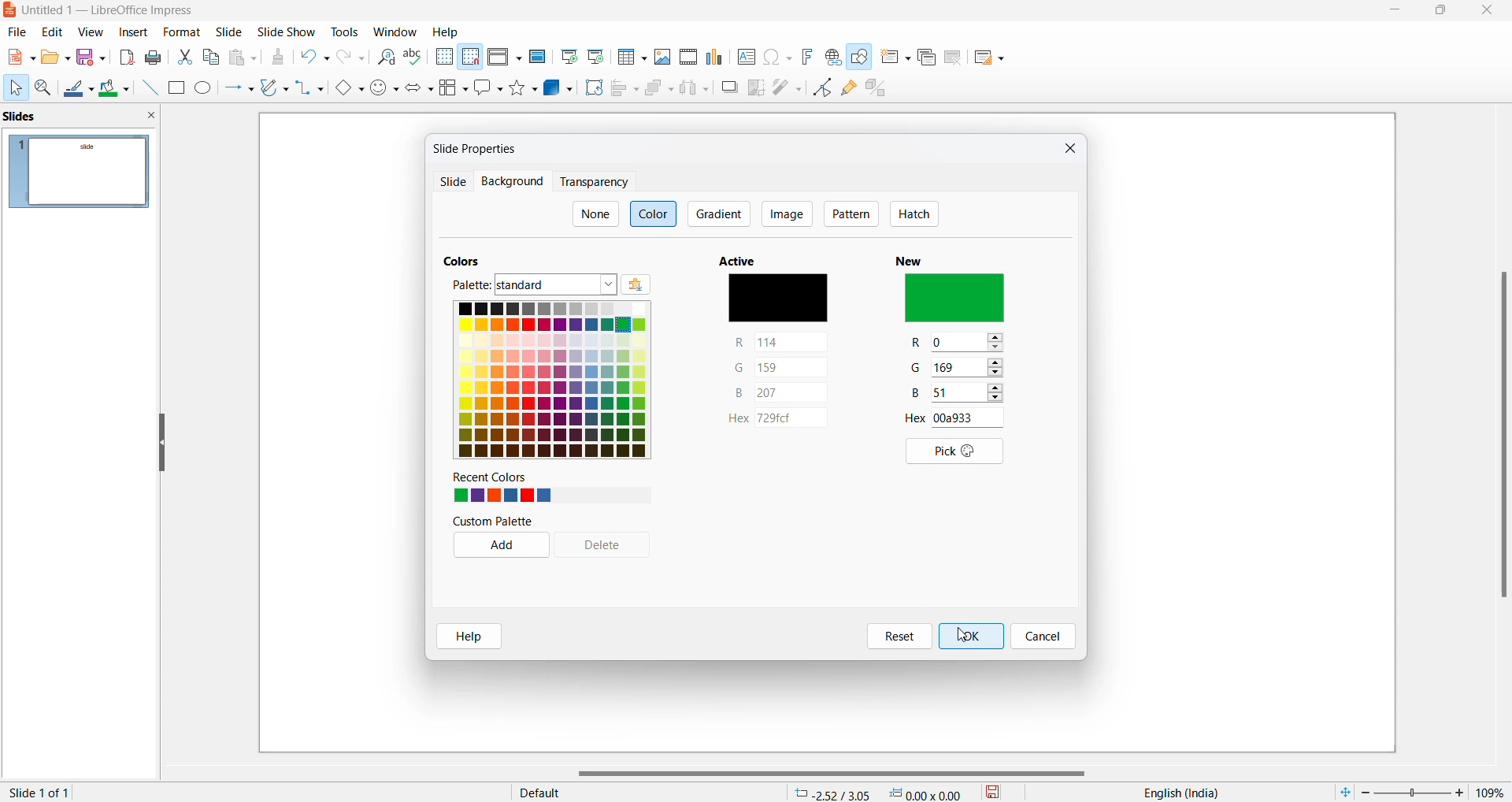 The height and width of the screenshot is (802, 1512). What do you see at coordinates (395, 32) in the screenshot?
I see `window` at bounding box center [395, 32].